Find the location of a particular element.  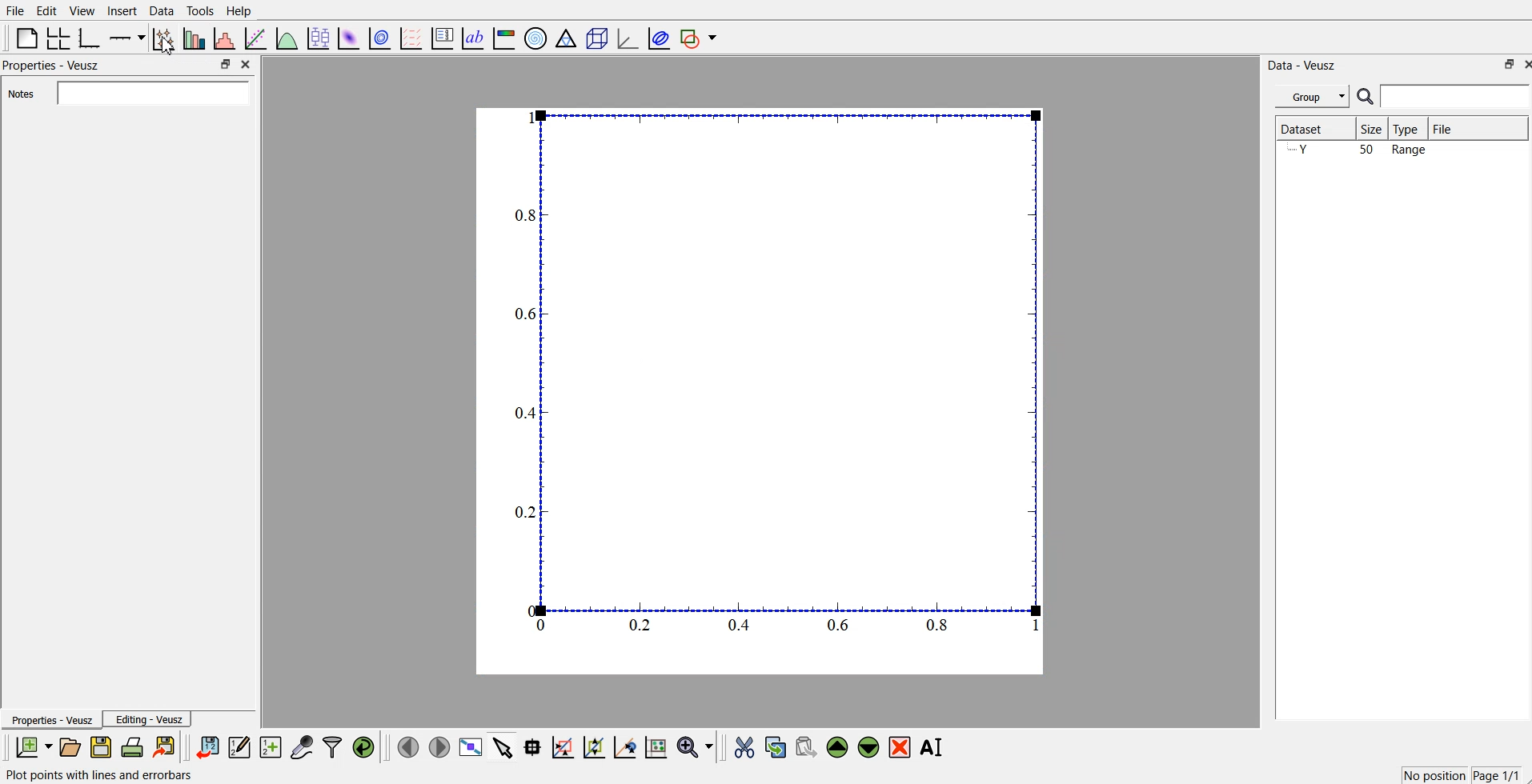

print document is located at coordinates (133, 749).